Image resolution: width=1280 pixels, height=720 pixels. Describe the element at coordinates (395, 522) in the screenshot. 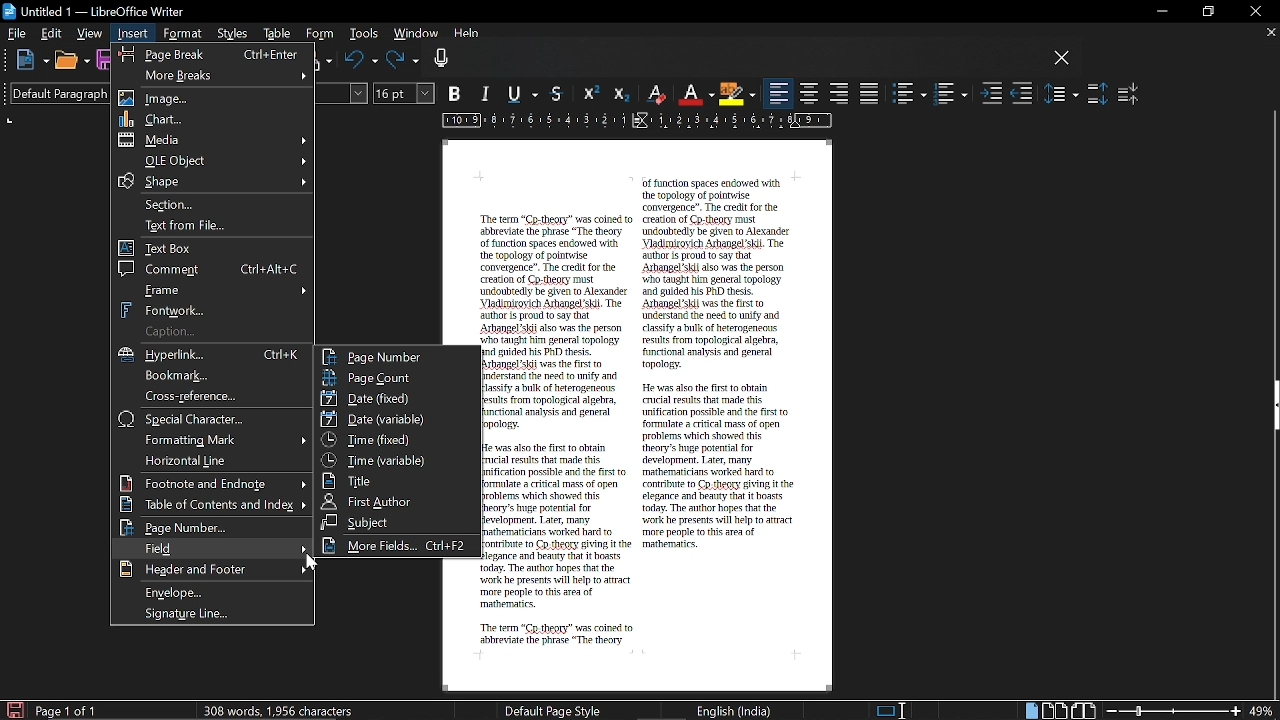

I see `Subject` at that location.